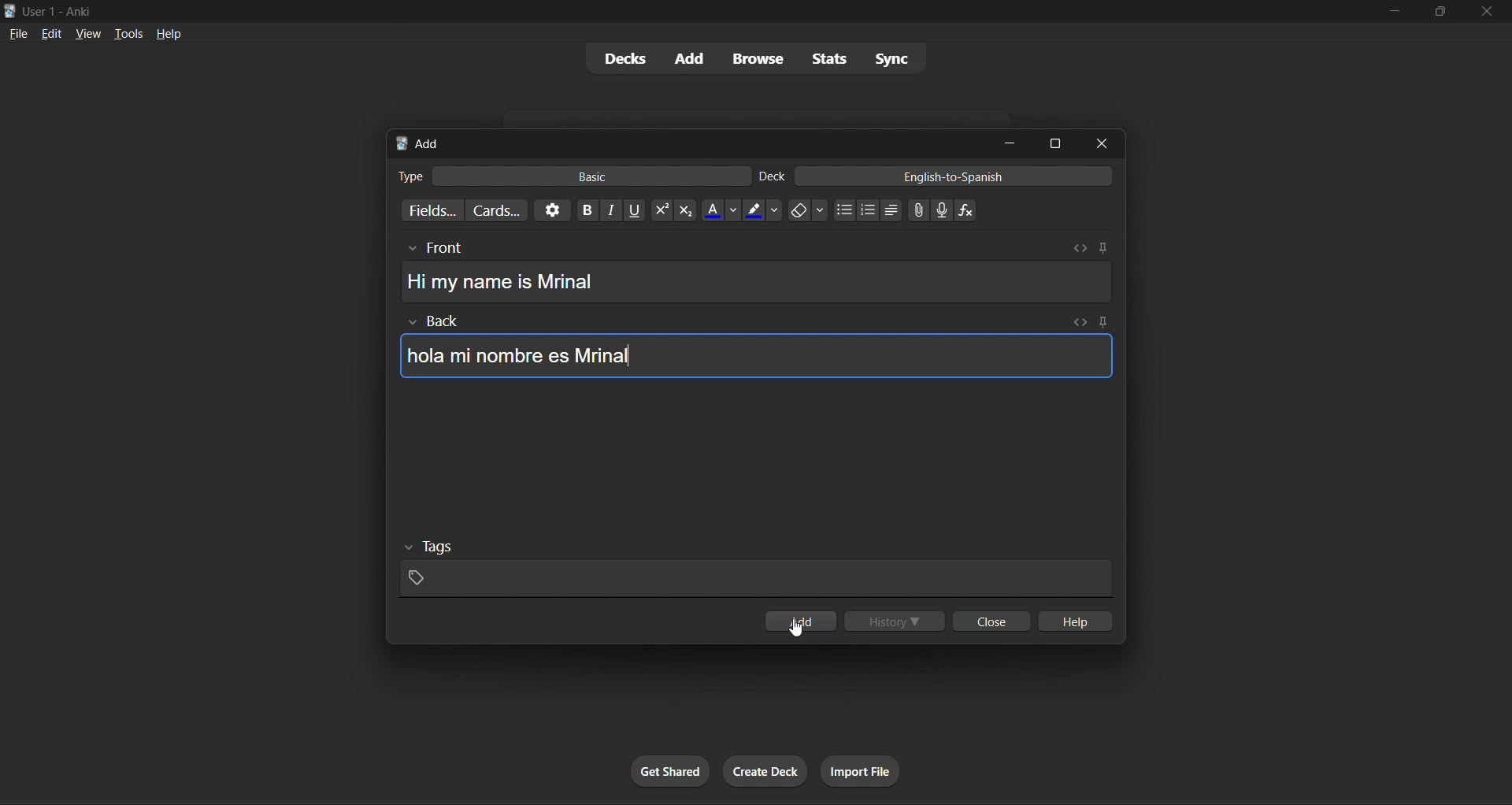 The height and width of the screenshot is (805, 1512). I want to click on card back spanish text box, so click(748, 346).